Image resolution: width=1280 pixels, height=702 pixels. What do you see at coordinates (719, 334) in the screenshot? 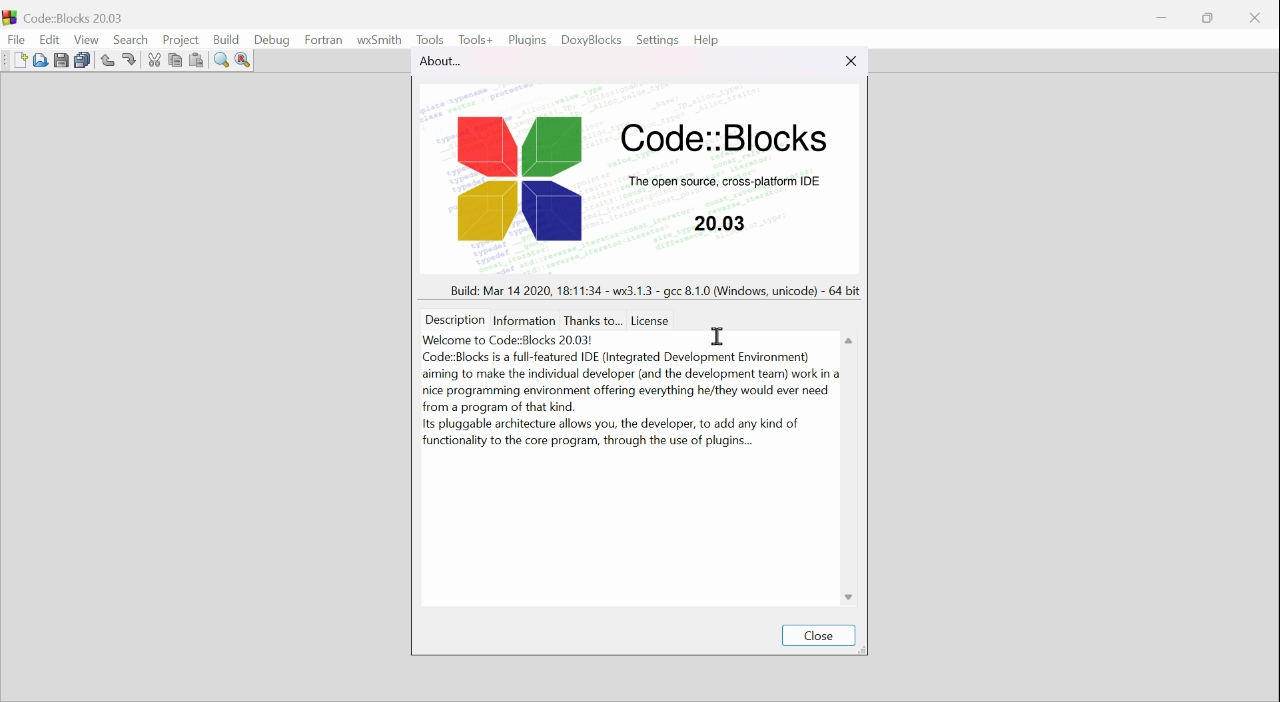
I see `cursor` at bounding box center [719, 334].